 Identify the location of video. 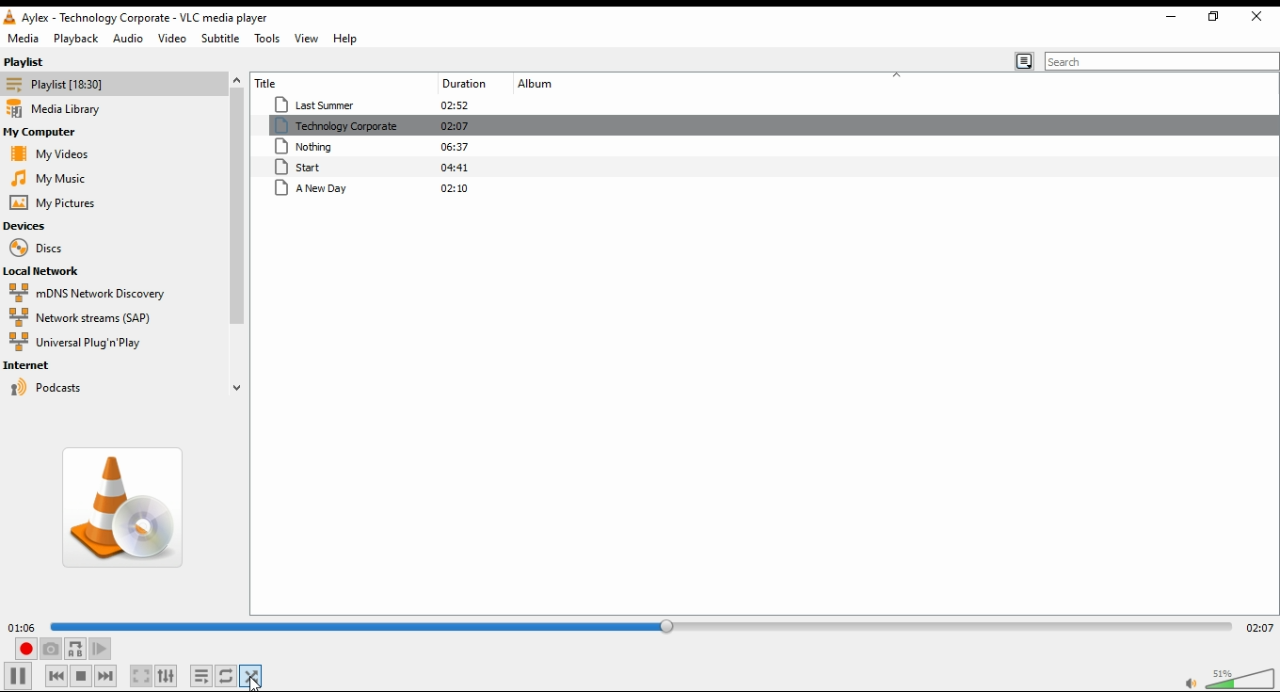
(173, 40).